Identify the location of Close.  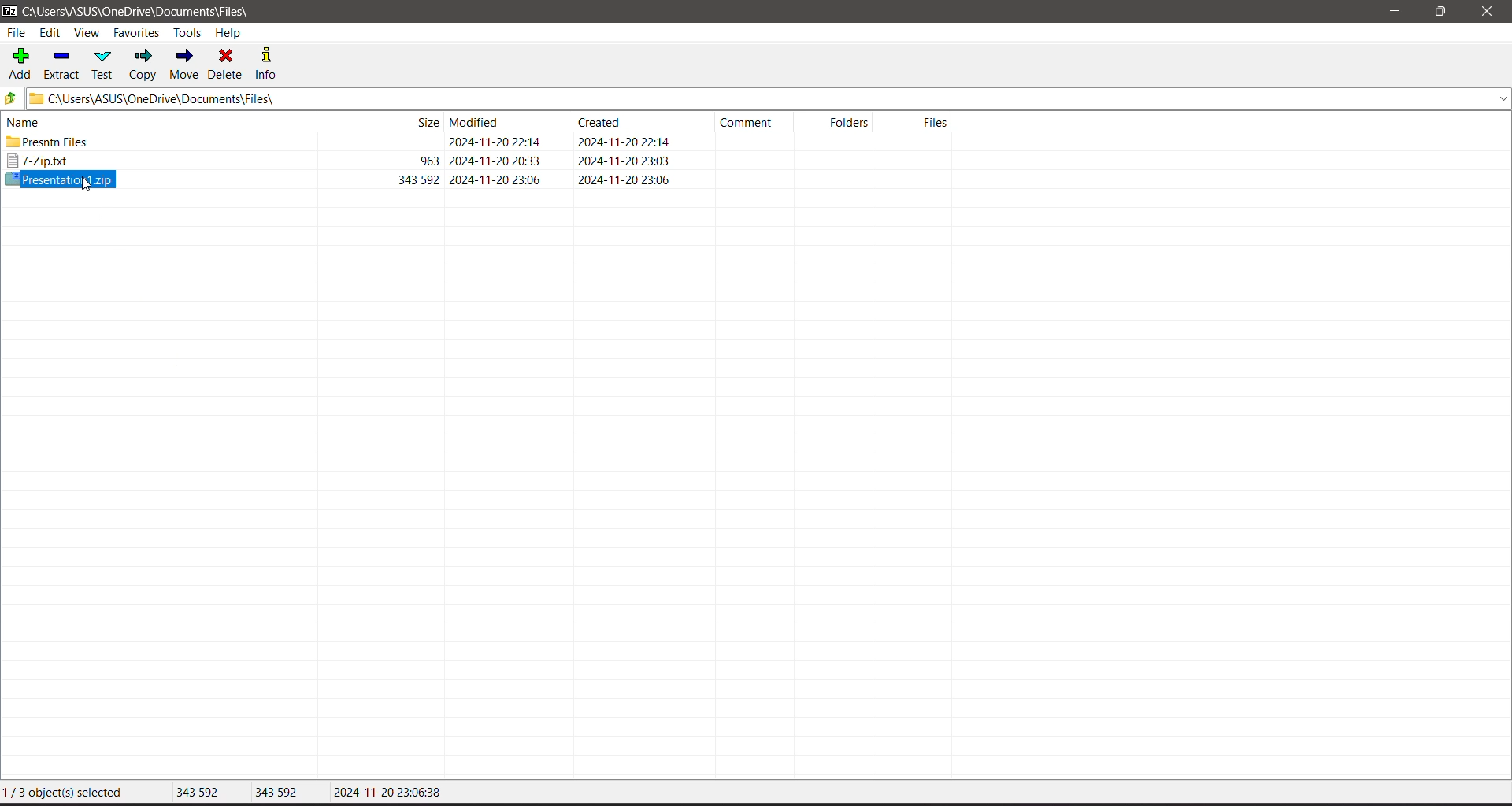
(1490, 12).